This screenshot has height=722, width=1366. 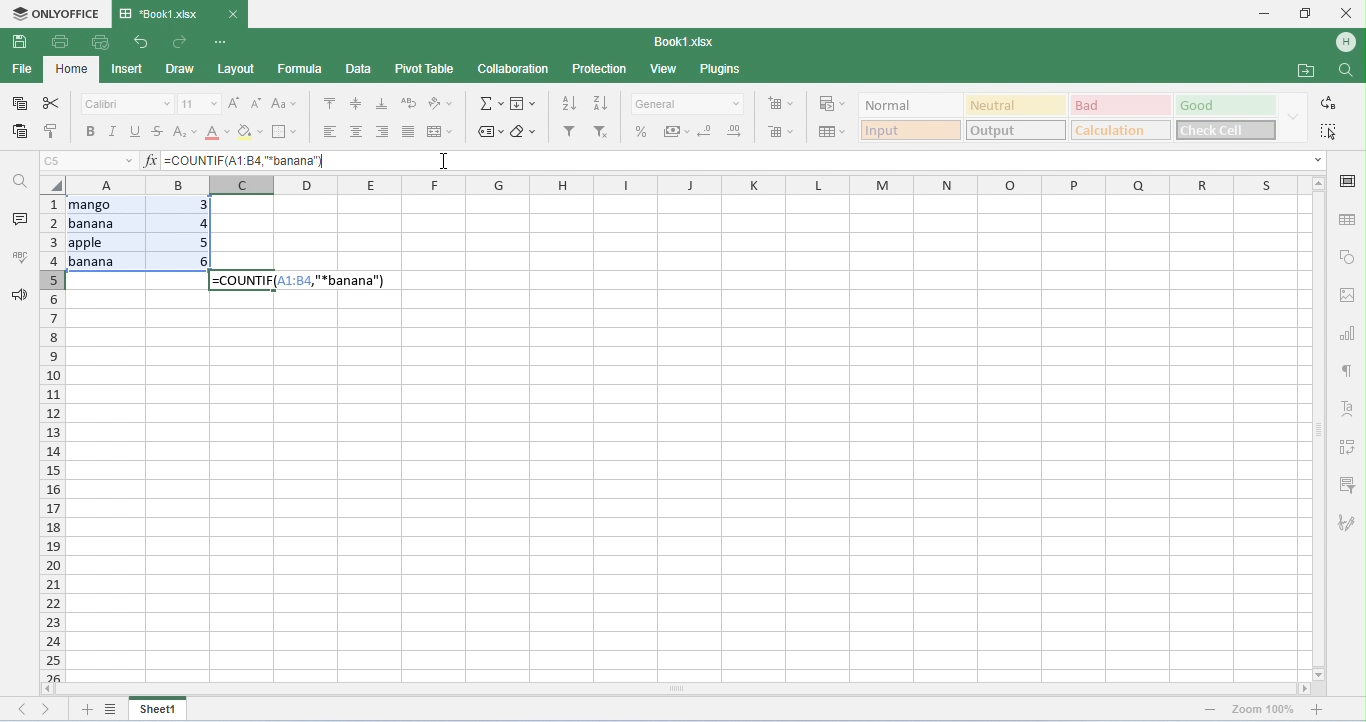 What do you see at coordinates (90, 132) in the screenshot?
I see `bold` at bounding box center [90, 132].